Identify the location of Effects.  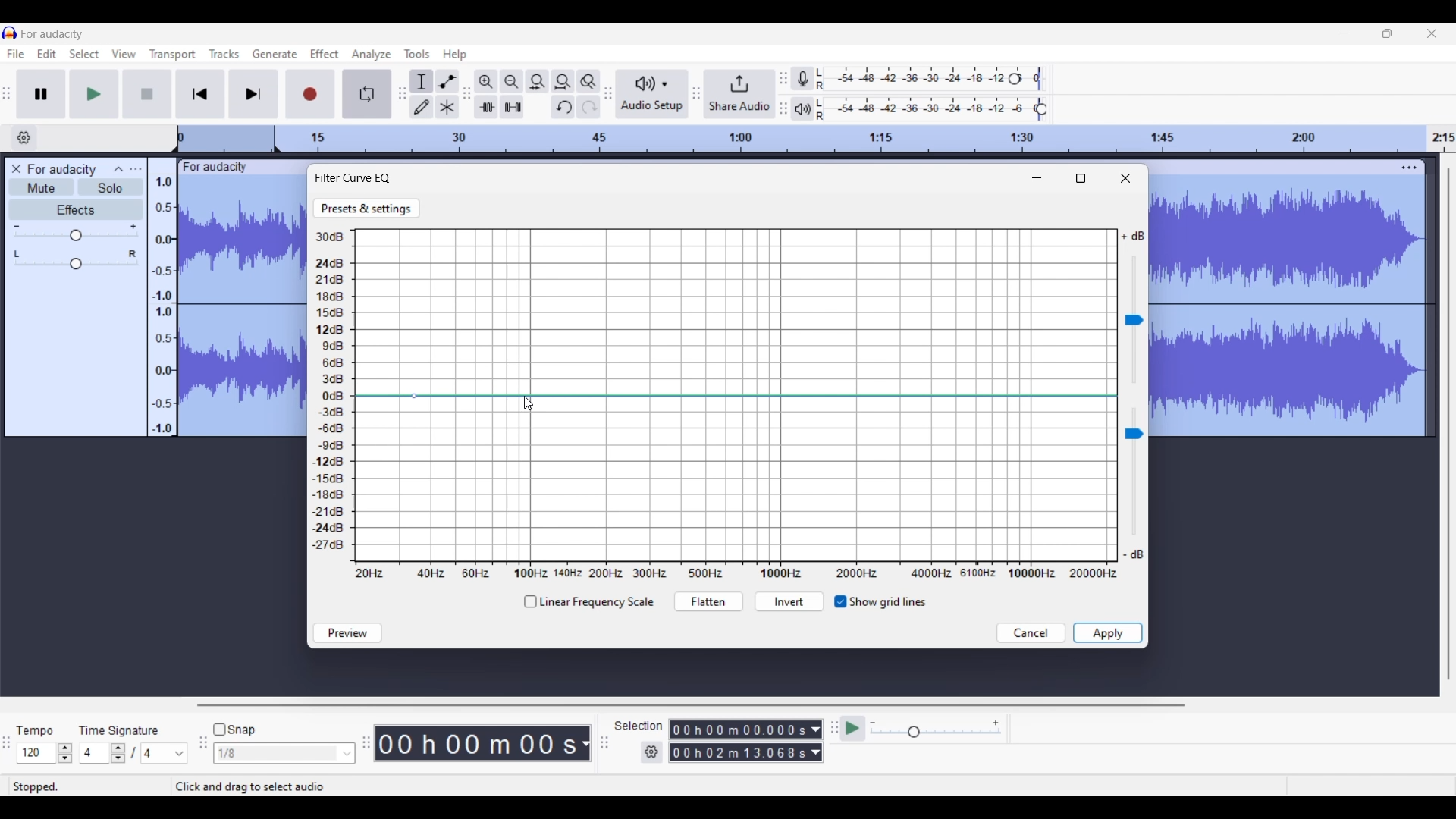
(76, 209).